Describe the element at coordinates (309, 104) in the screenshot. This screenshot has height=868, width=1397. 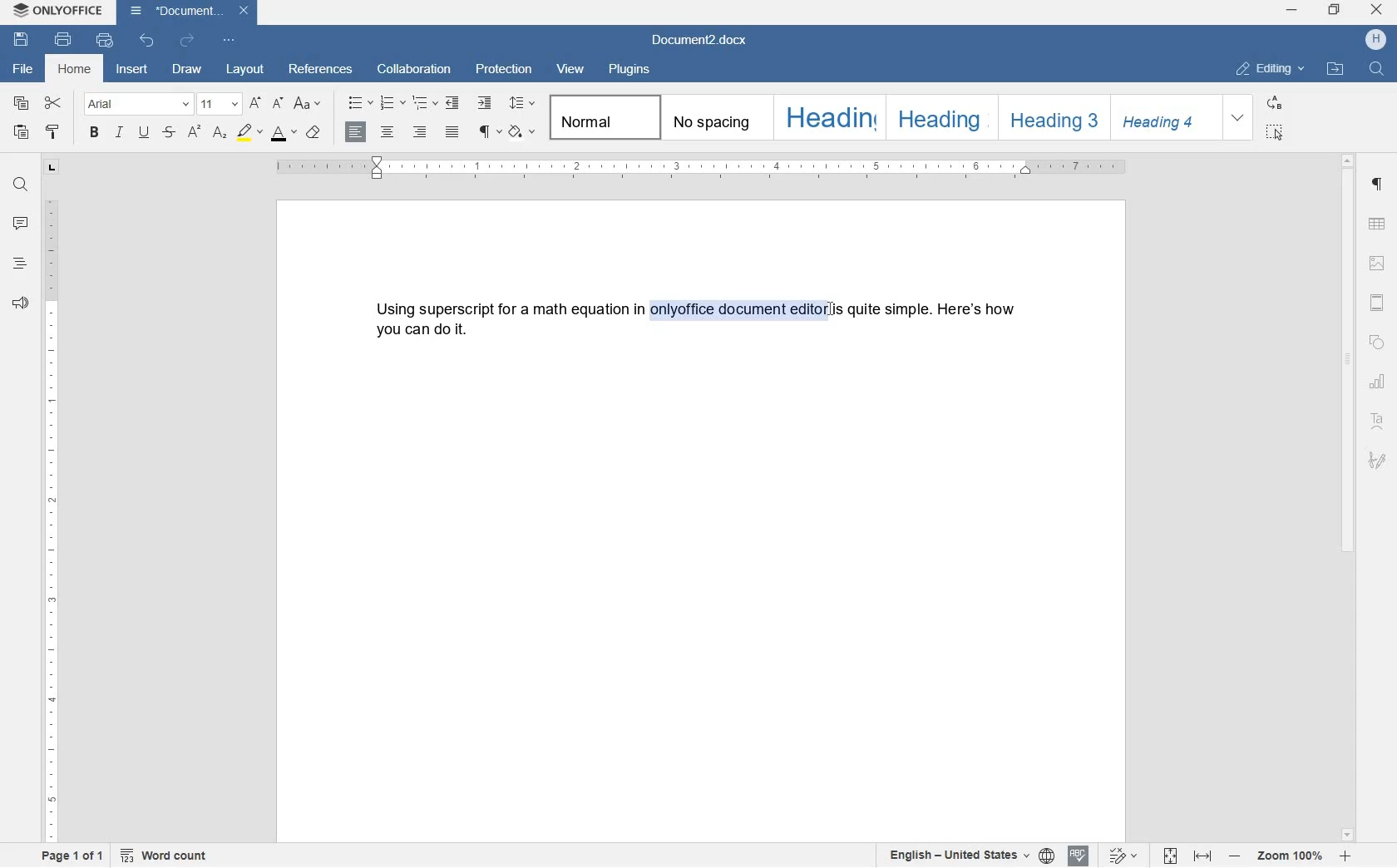
I see `change case` at that location.